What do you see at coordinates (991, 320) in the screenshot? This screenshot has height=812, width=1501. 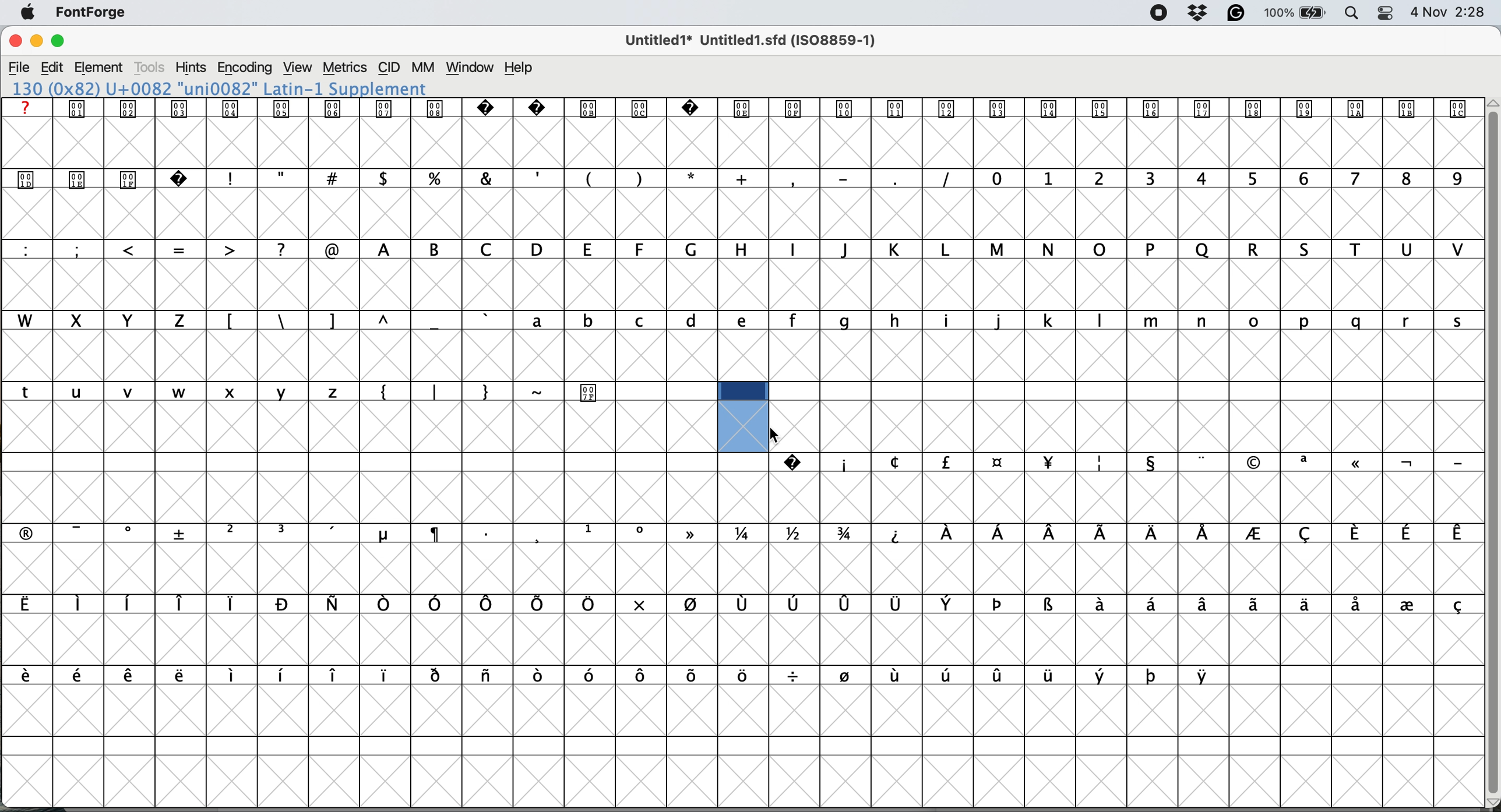 I see `lowercase letters` at bounding box center [991, 320].